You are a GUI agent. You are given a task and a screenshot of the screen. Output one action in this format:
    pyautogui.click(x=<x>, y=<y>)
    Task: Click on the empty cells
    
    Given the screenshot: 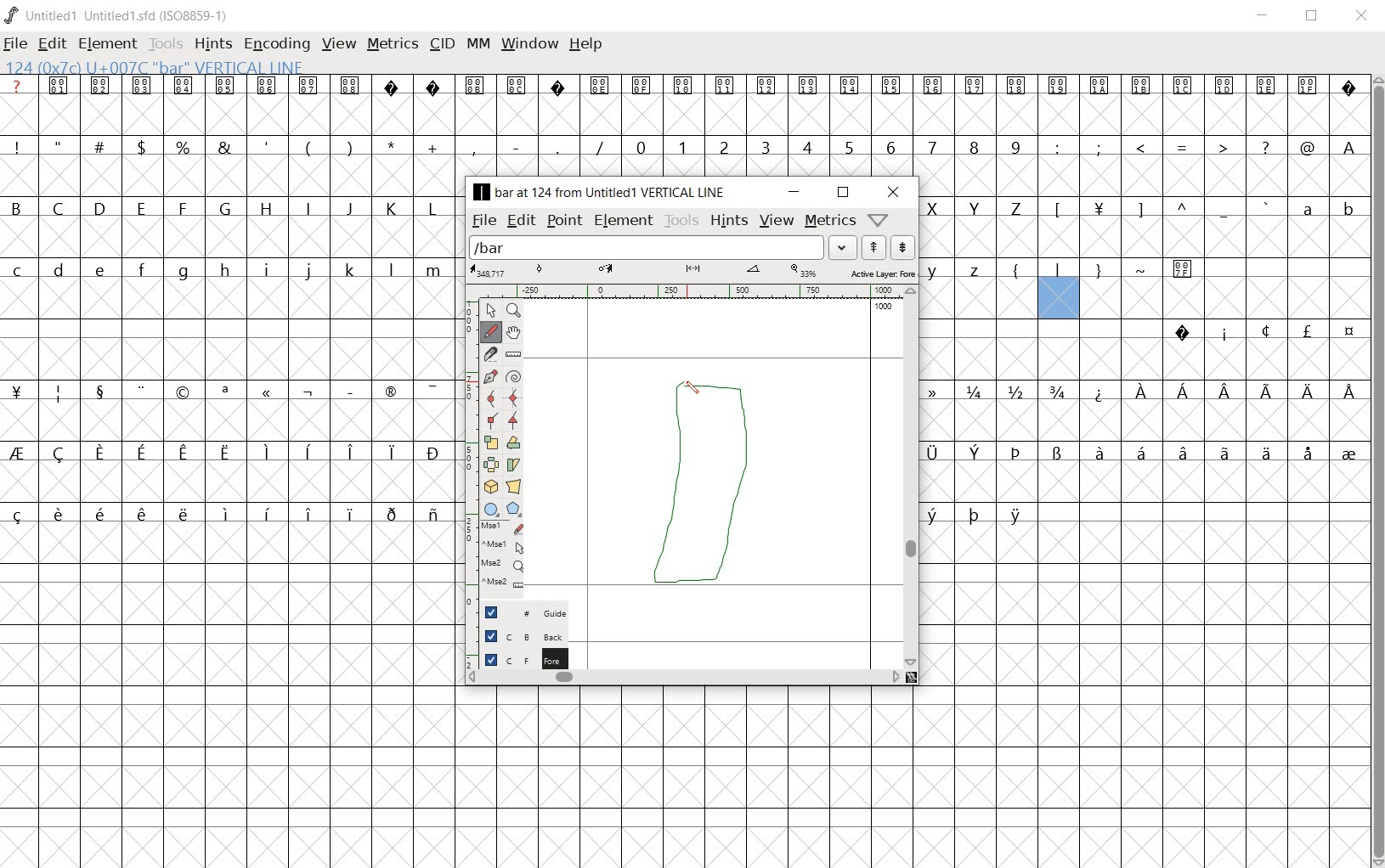 What is the action you would take?
    pyautogui.click(x=232, y=419)
    